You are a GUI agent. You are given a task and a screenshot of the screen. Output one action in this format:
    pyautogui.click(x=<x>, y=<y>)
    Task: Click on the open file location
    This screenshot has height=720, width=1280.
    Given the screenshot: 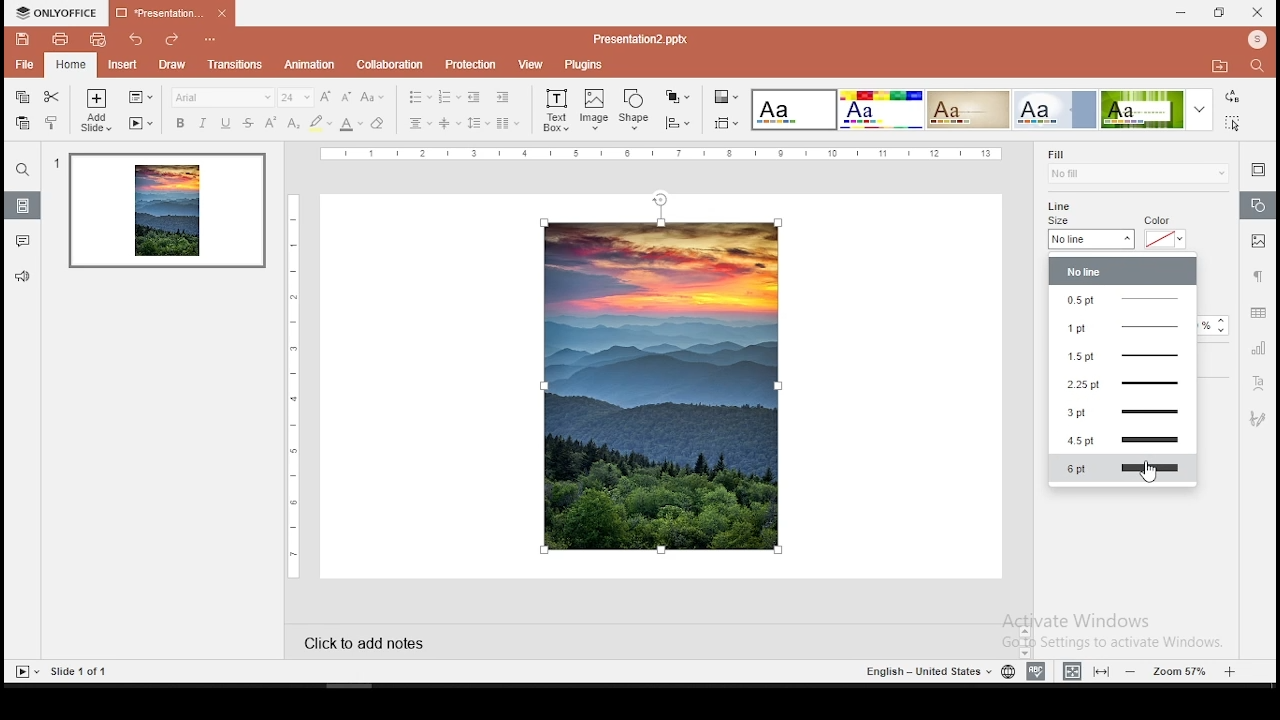 What is the action you would take?
    pyautogui.click(x=1222, y=70)
    